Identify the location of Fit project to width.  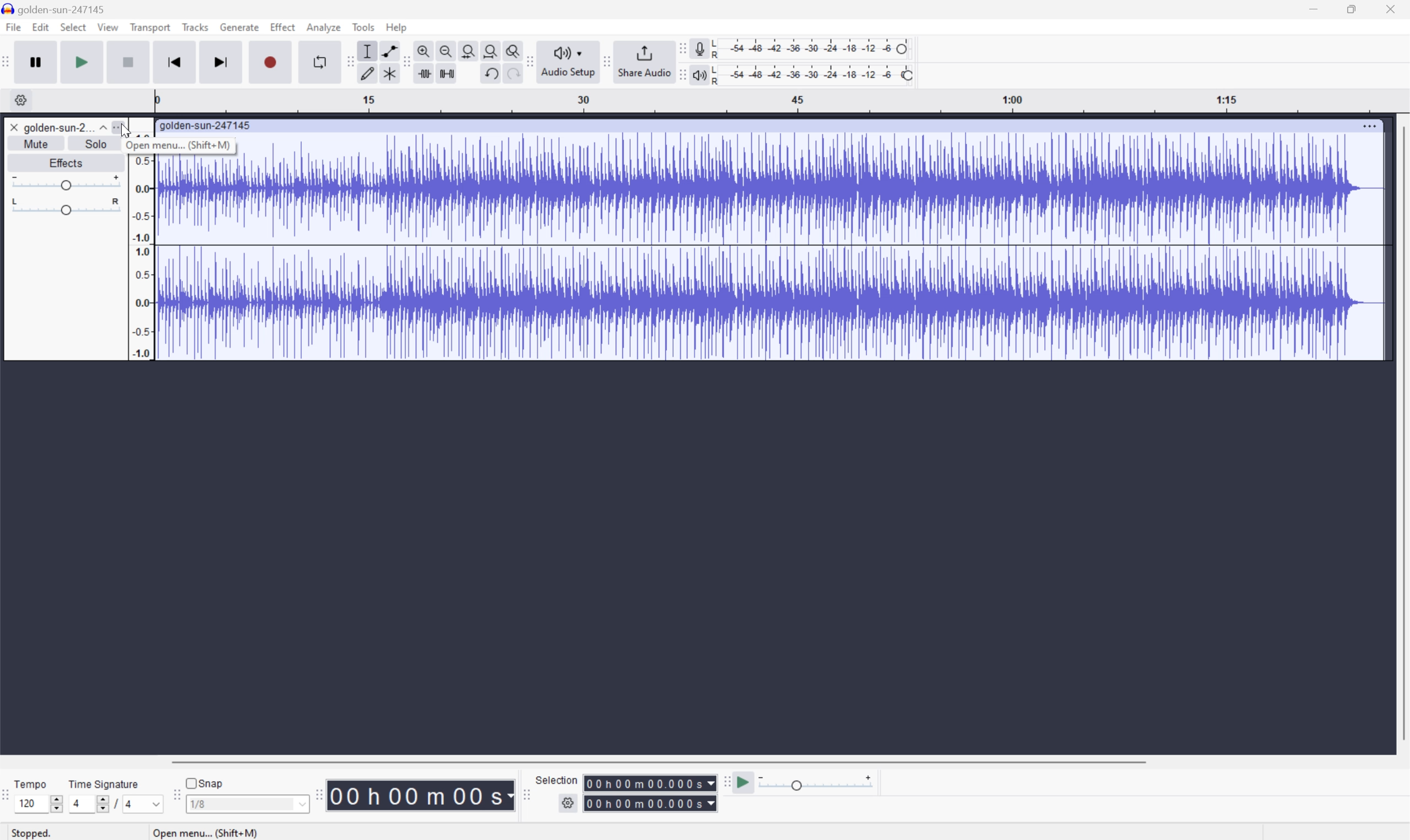
(488, 49).